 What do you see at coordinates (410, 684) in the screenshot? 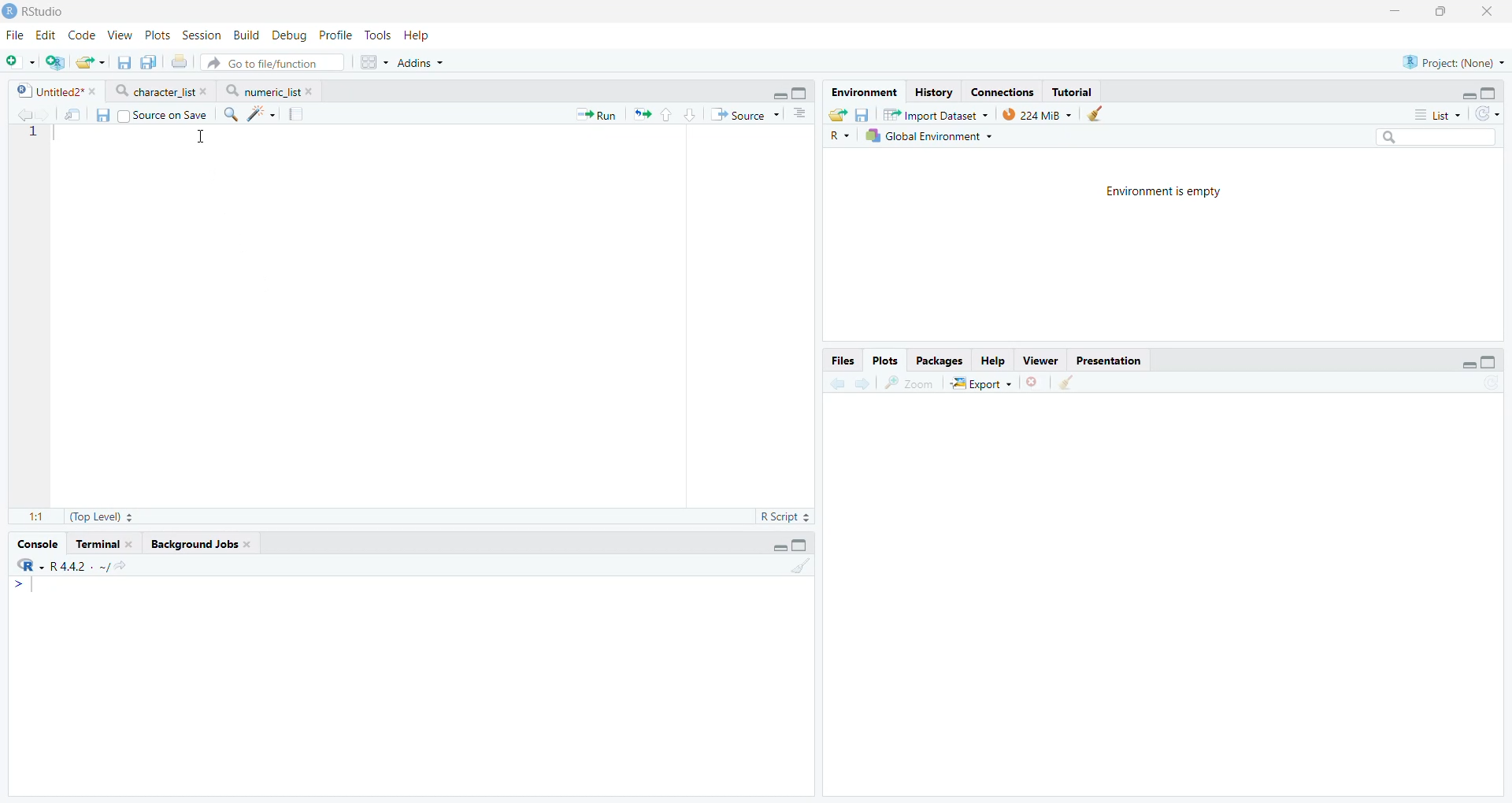
I see `Console` at bounding box center [410, 684].